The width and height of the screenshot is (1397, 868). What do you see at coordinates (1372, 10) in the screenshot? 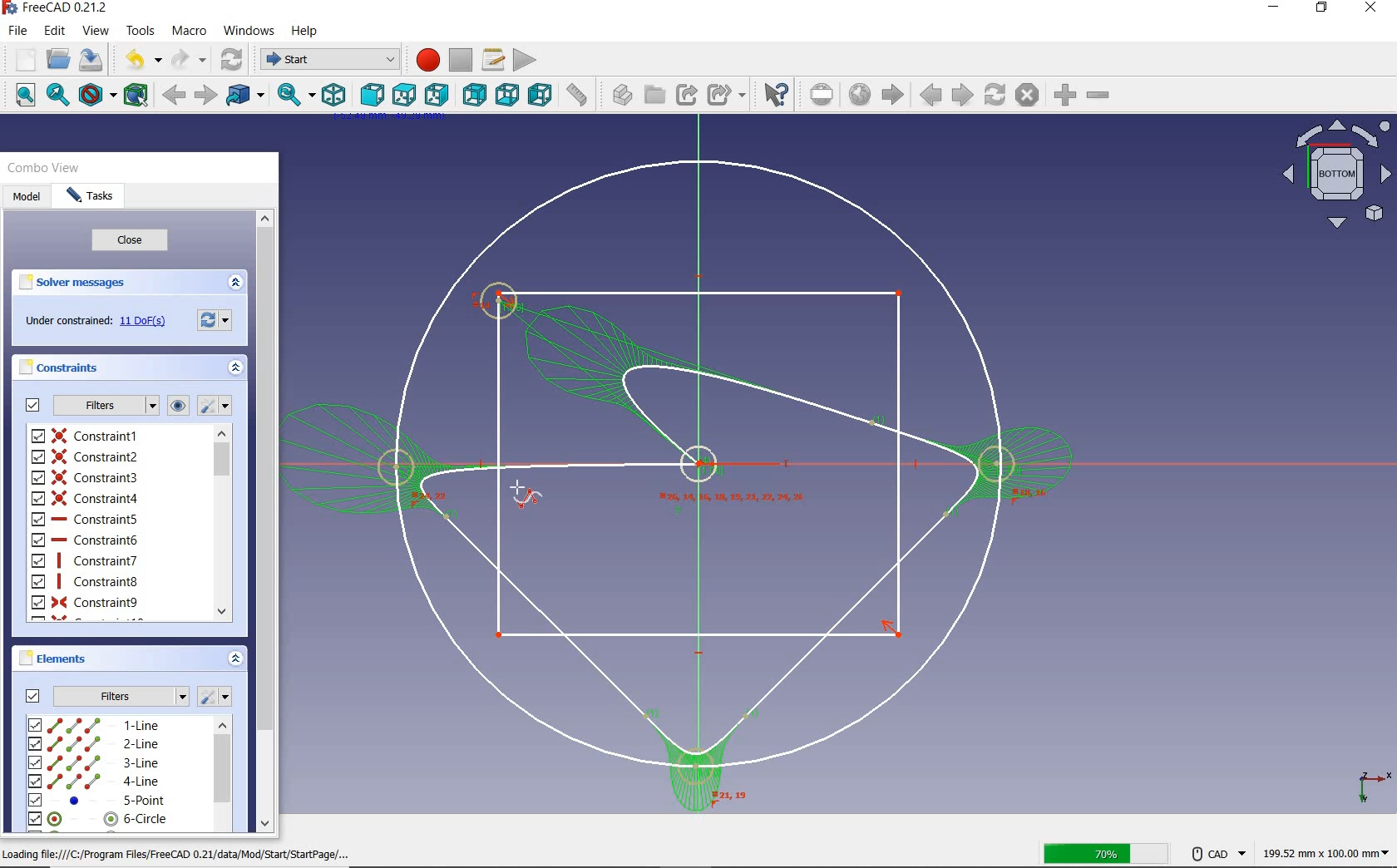
I see `close` at bounding box center [1372, 10].